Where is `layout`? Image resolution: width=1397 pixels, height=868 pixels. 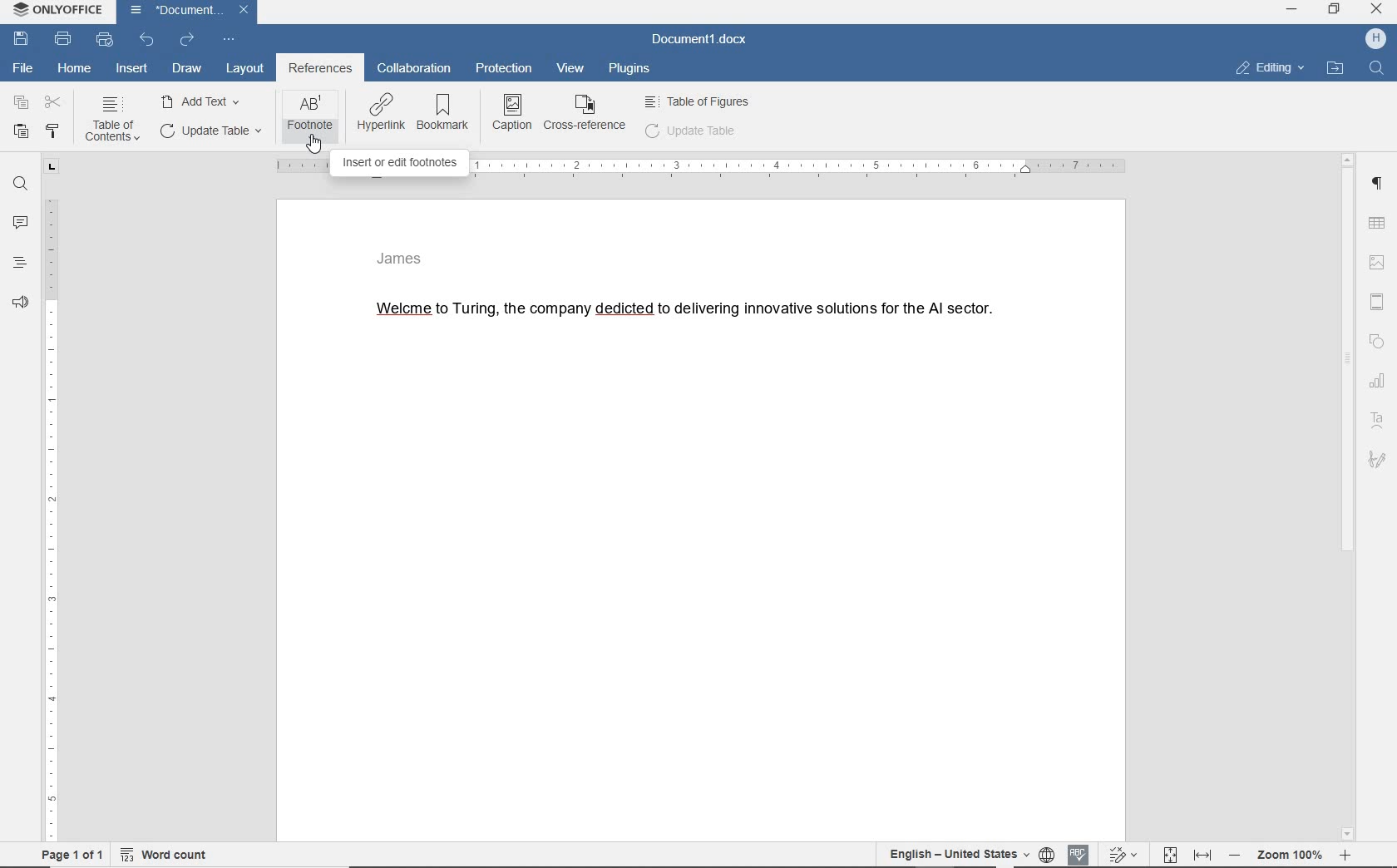 layout is located at coordinates (245, 70).